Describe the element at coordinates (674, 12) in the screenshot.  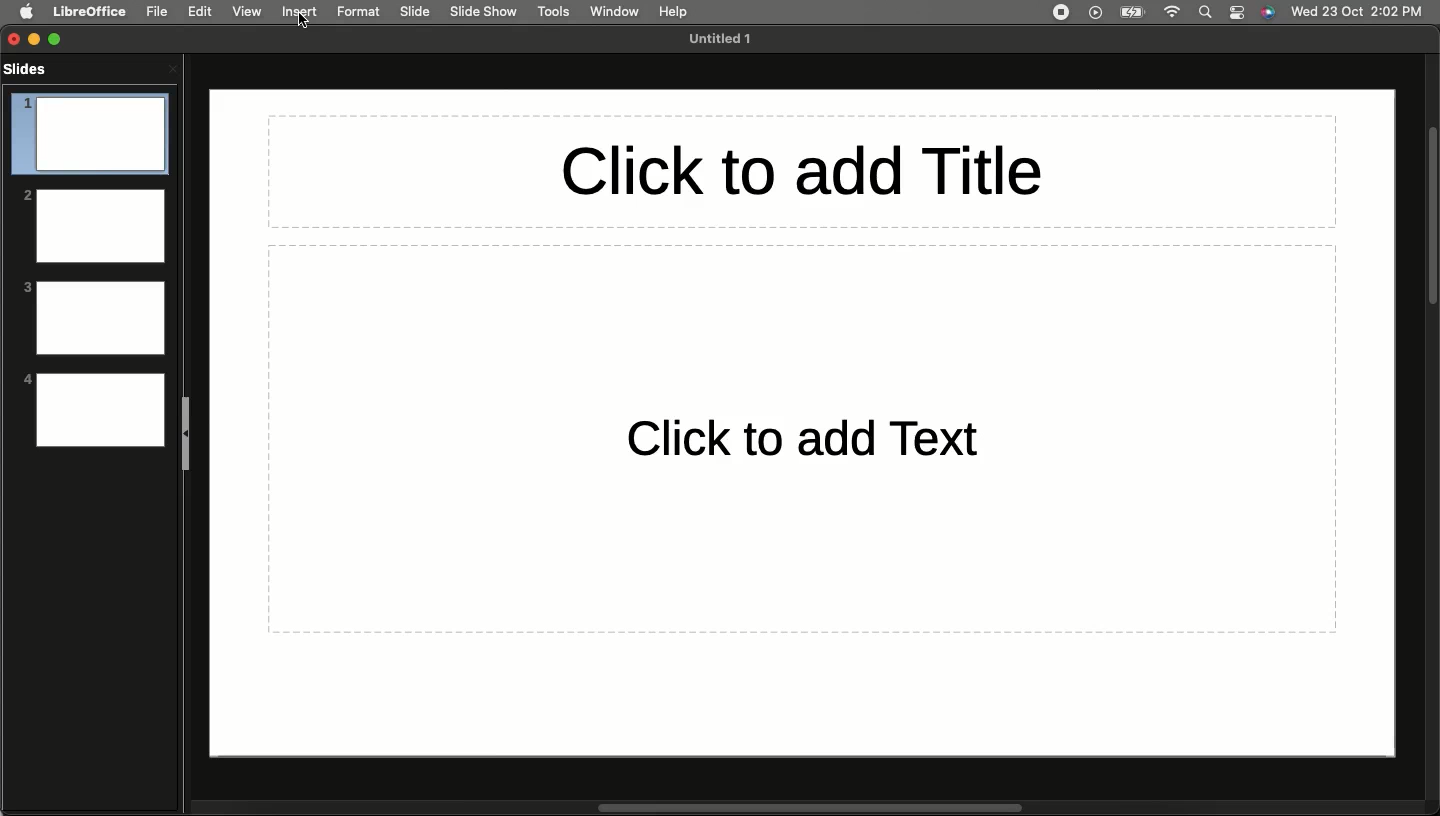
I see `Hel` at that location.